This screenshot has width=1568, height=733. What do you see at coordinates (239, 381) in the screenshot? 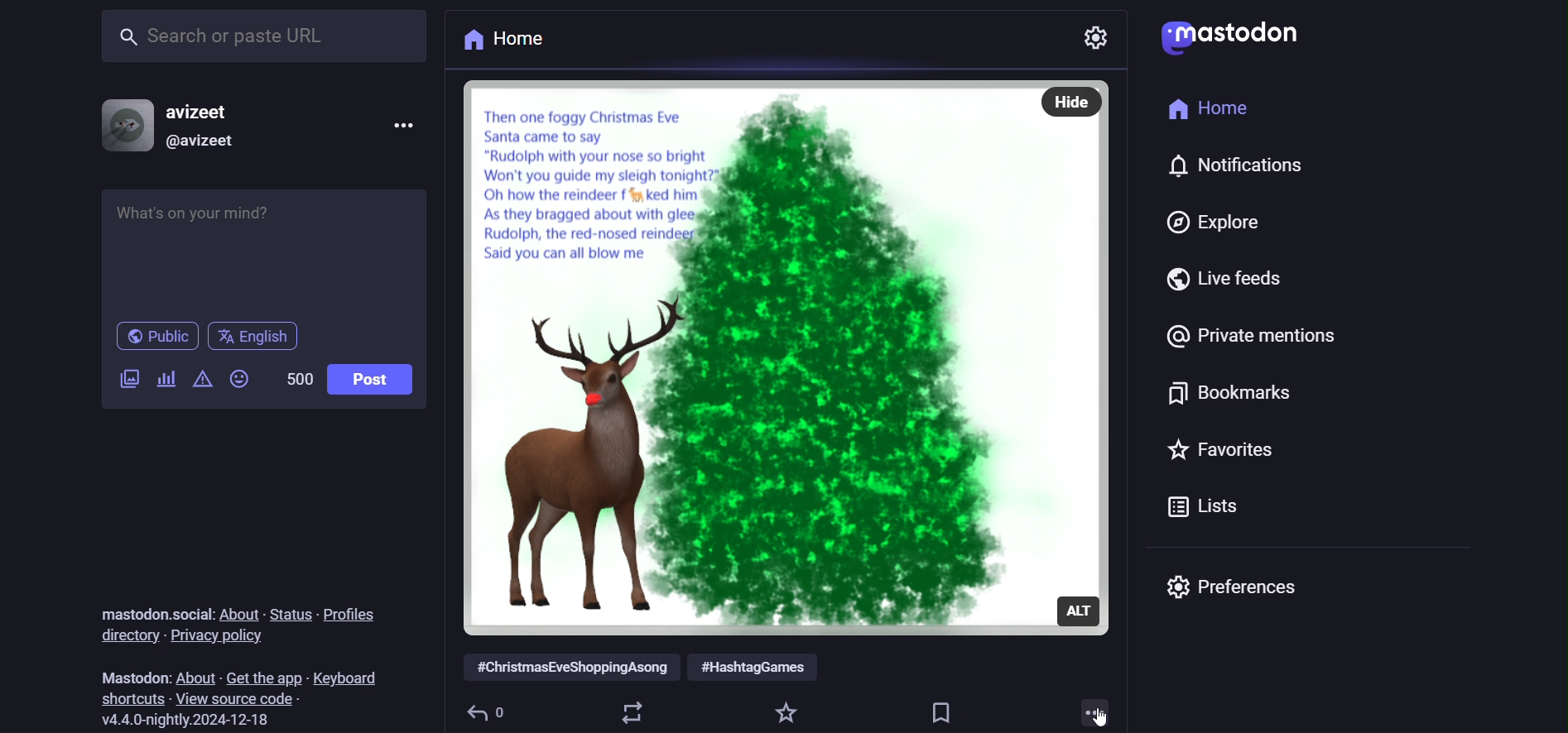
I see `emoji` at bounding box center [239, 381].